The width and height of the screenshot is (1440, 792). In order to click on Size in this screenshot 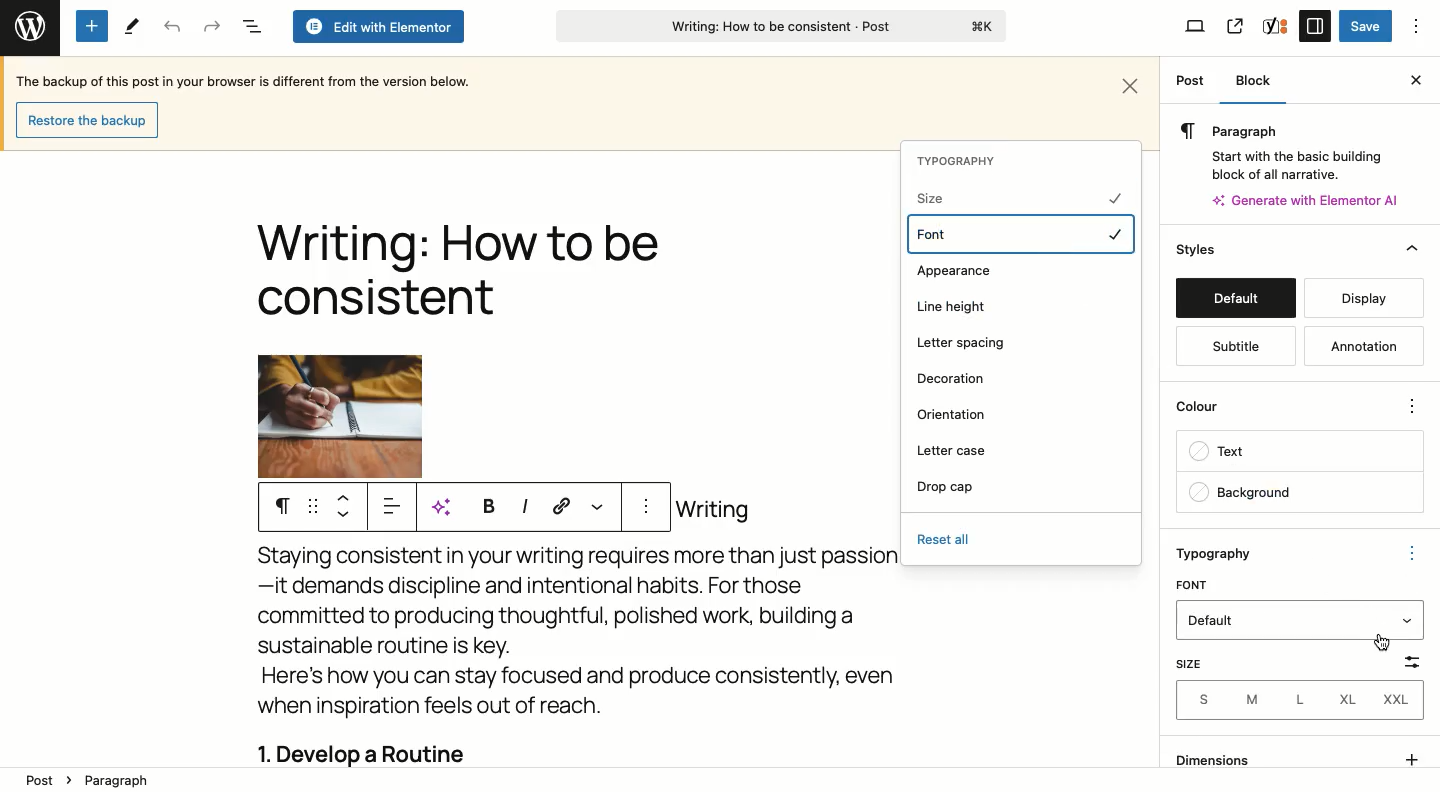, I will do `click(1196, 662)`.